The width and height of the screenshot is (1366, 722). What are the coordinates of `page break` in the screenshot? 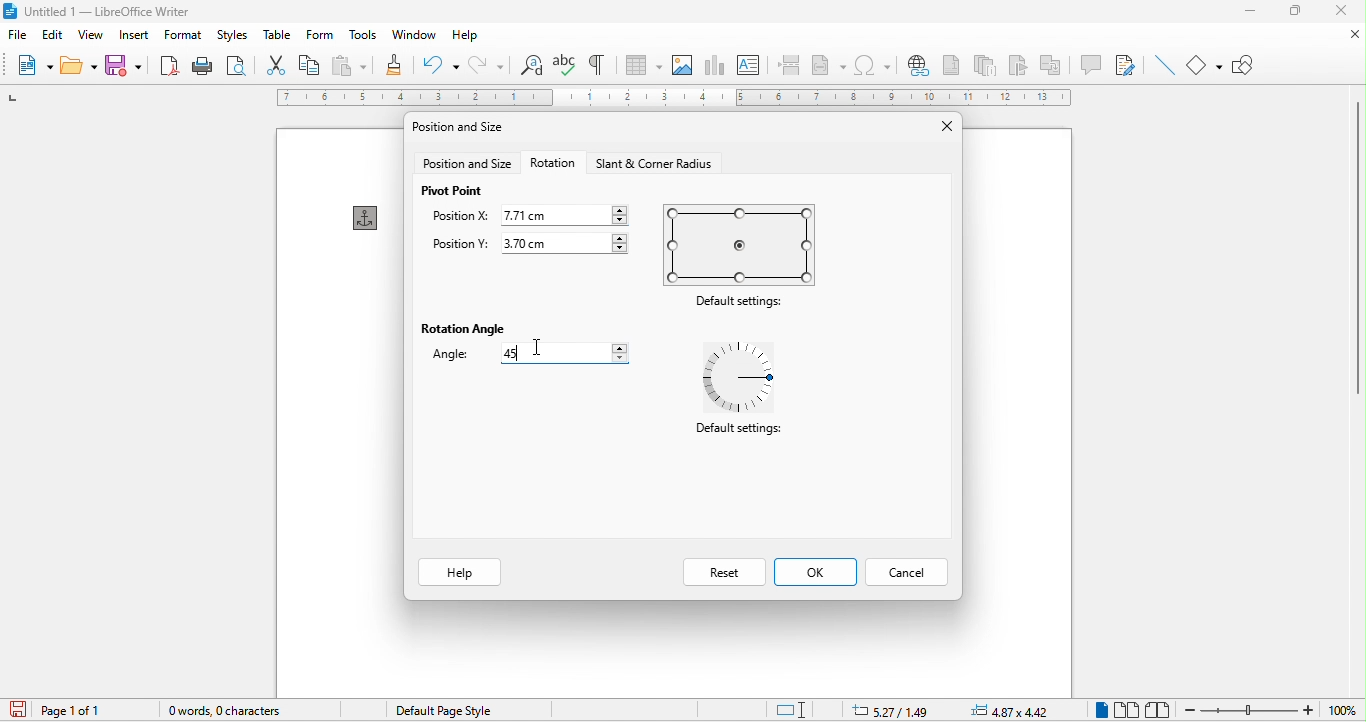 It's located at (787, 63).